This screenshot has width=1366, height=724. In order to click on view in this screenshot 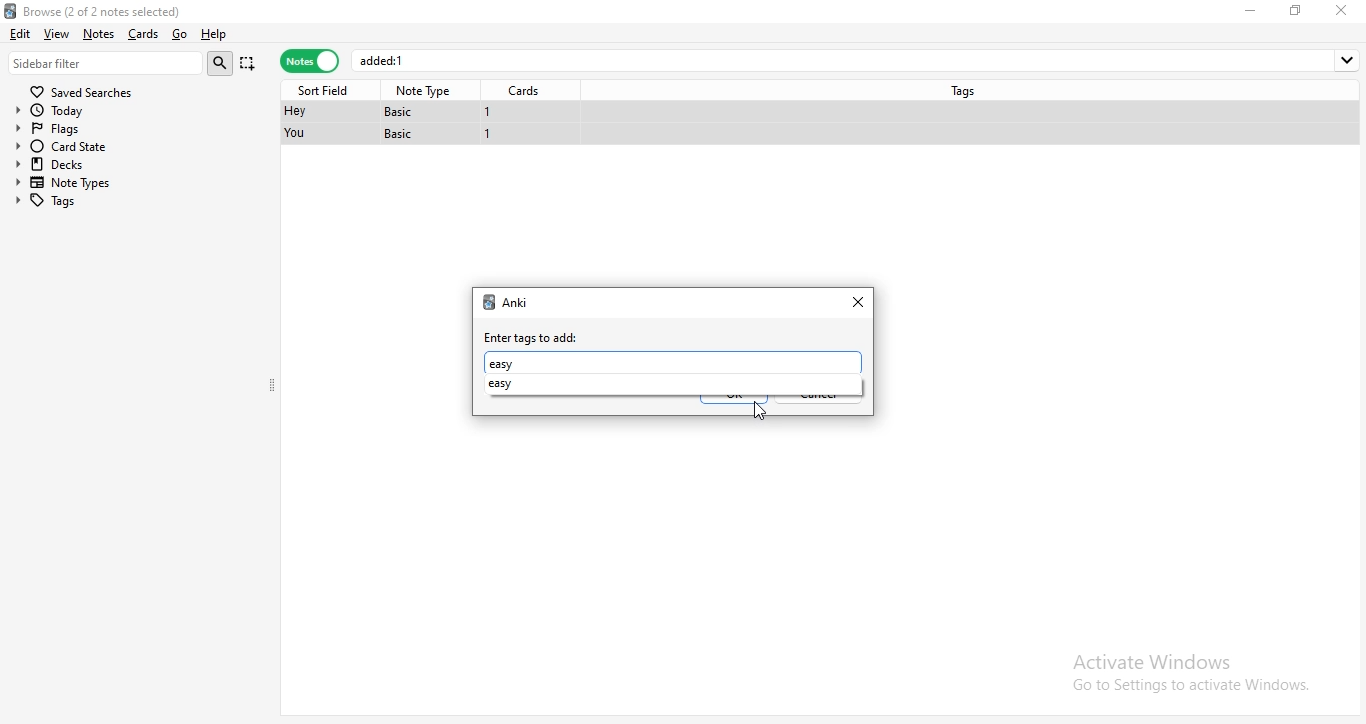, I will do `click(58, 33)`.